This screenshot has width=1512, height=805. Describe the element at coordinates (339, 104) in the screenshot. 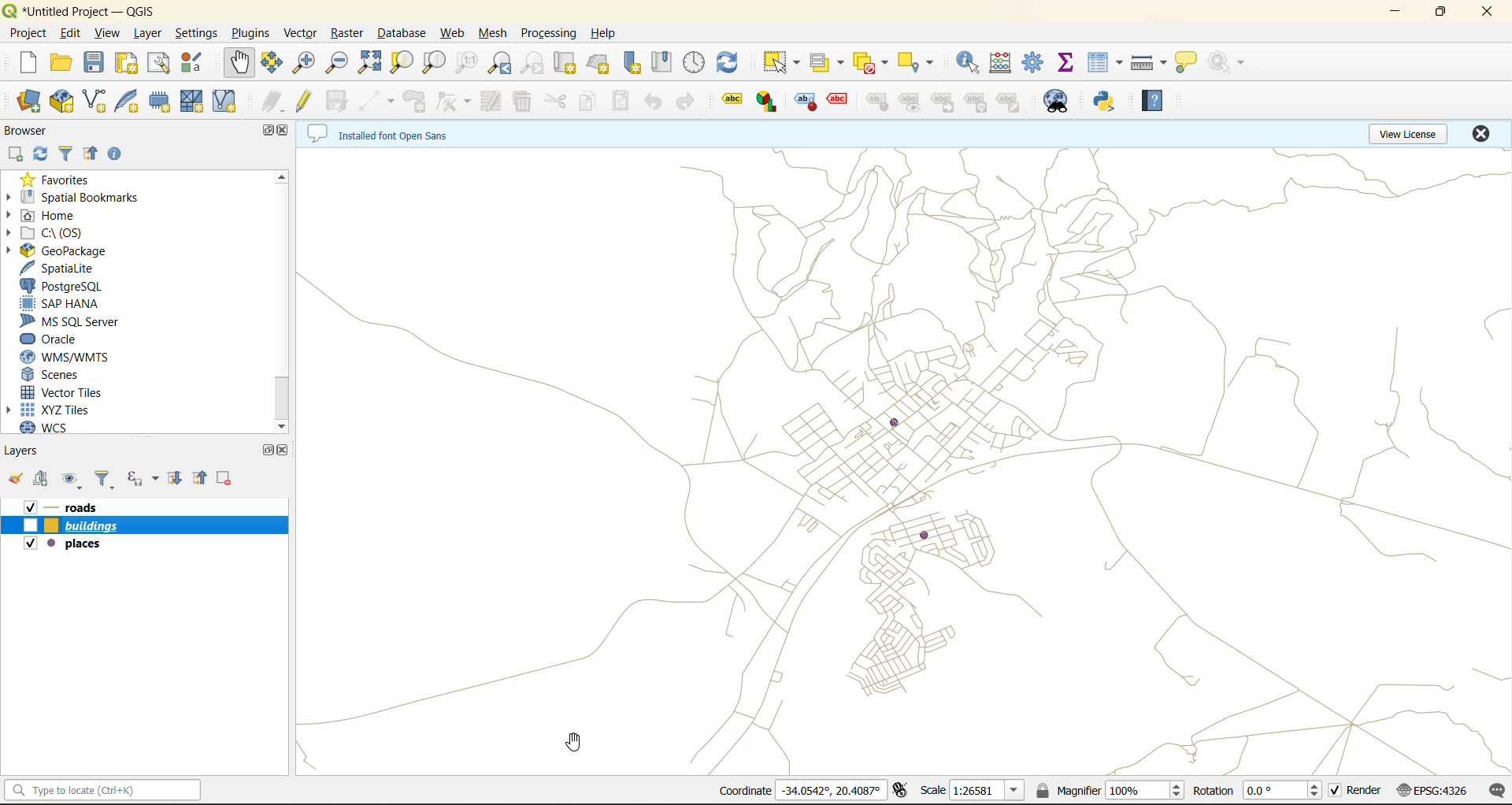

I see `save edits` at that location.